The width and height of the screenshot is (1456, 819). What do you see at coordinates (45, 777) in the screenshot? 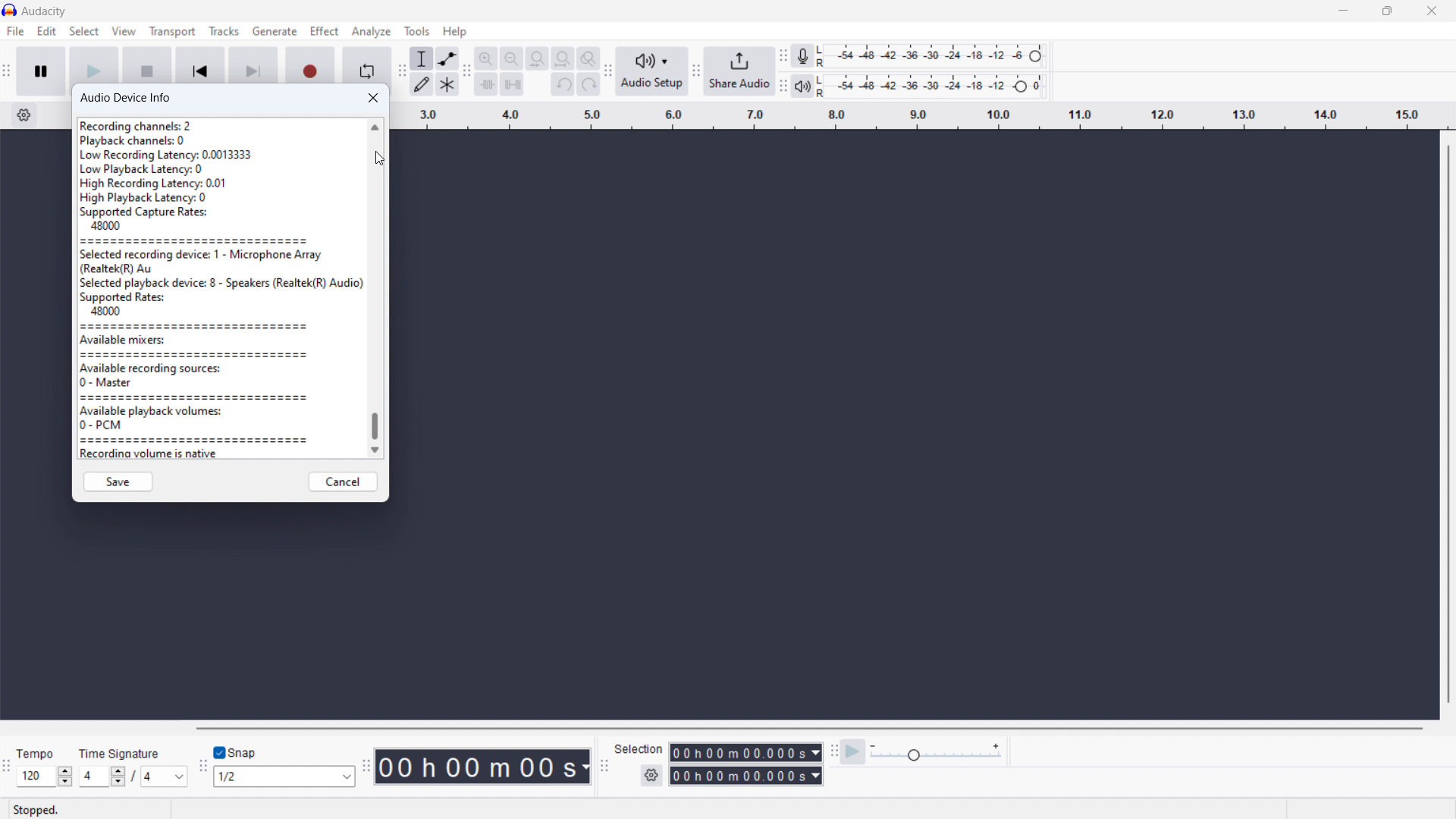
I see `set tempo` at bounding box center [45, 777].